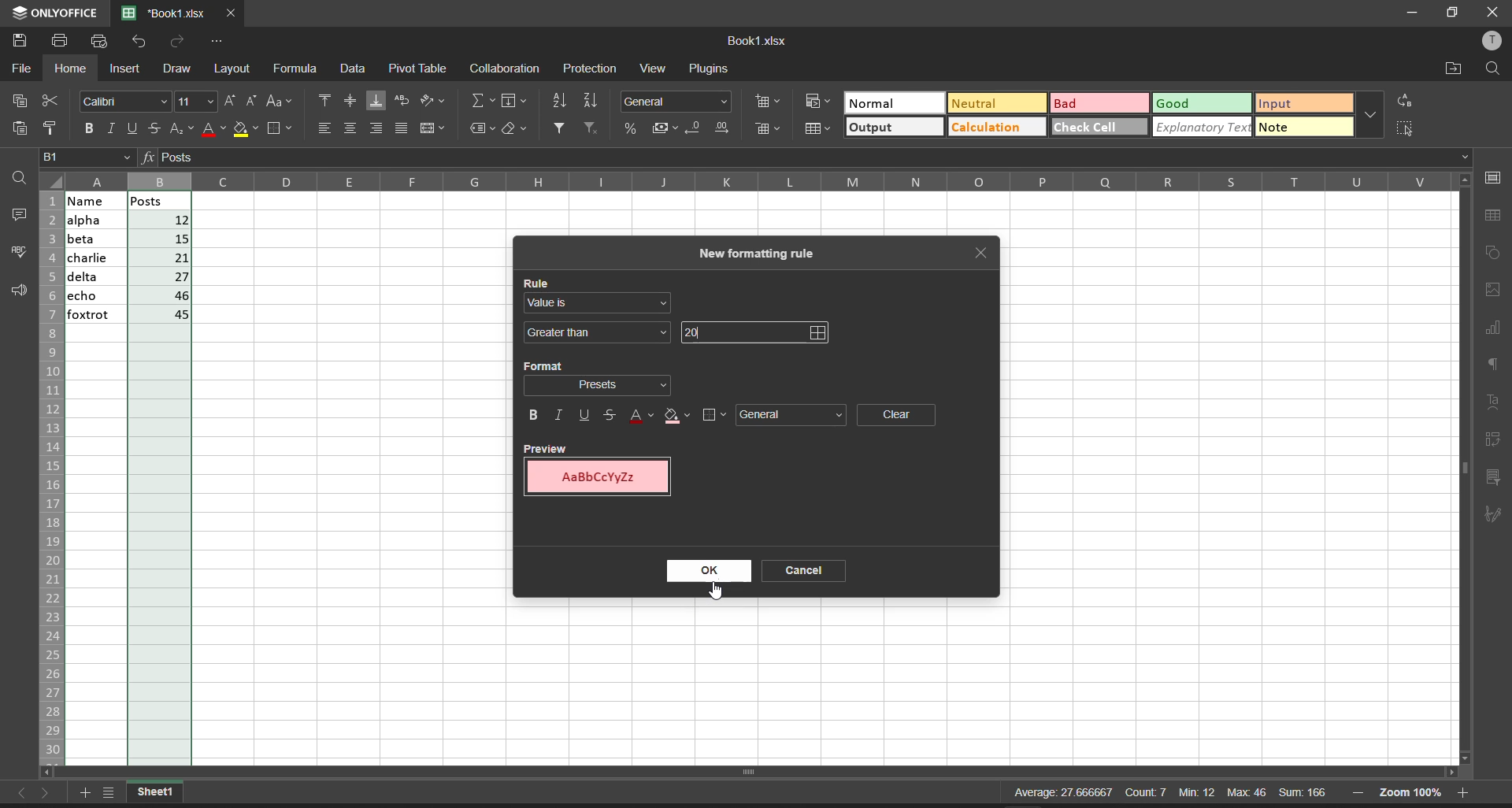 The width and height of the screenshot is (1512, 808). I want to click on rule, so click(536, 280).